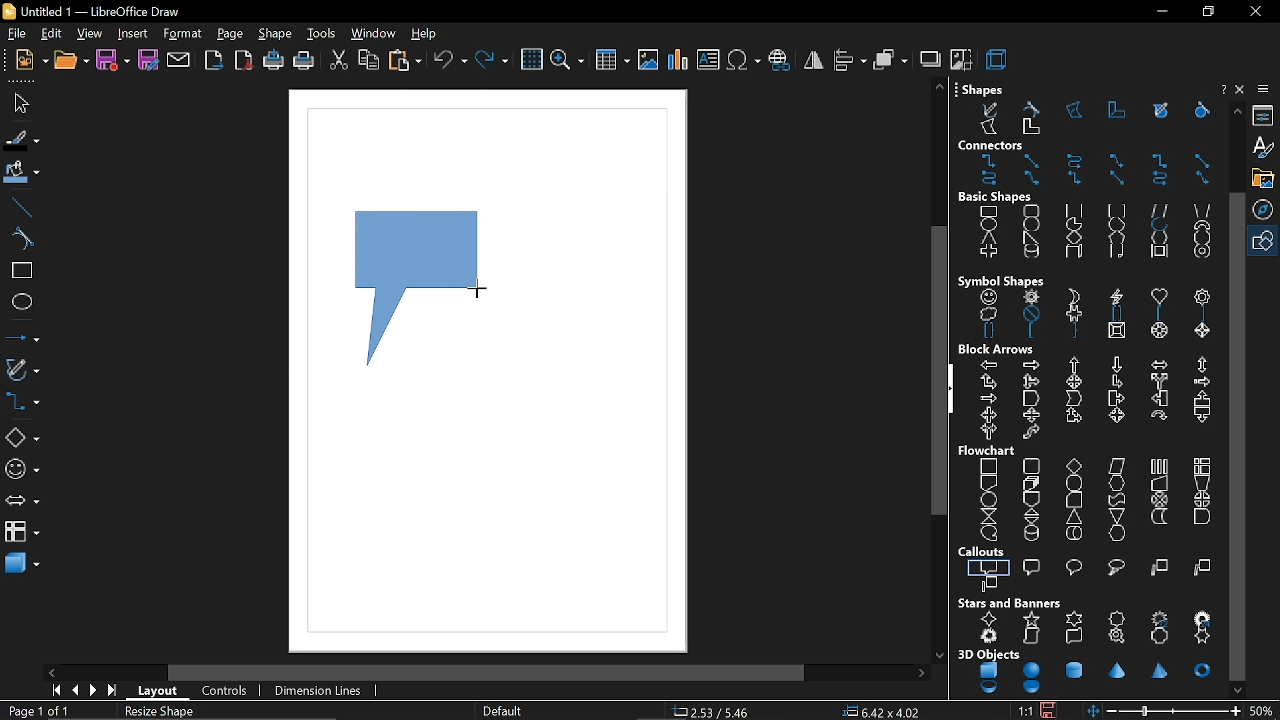 This screenshot has height=720, width=1280. Describe the element at coordinates (1162, 637) in the screenshot. I see `doorplate` at that location.